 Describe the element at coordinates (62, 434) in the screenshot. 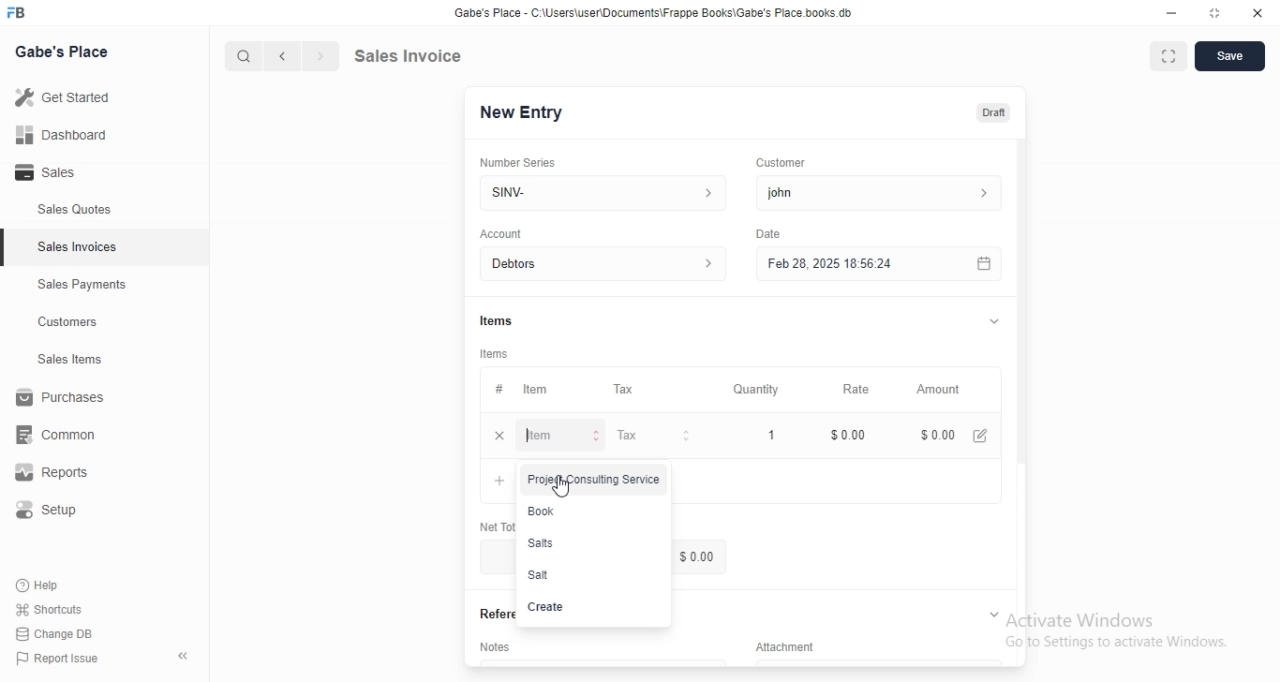

I see `common` at that location.